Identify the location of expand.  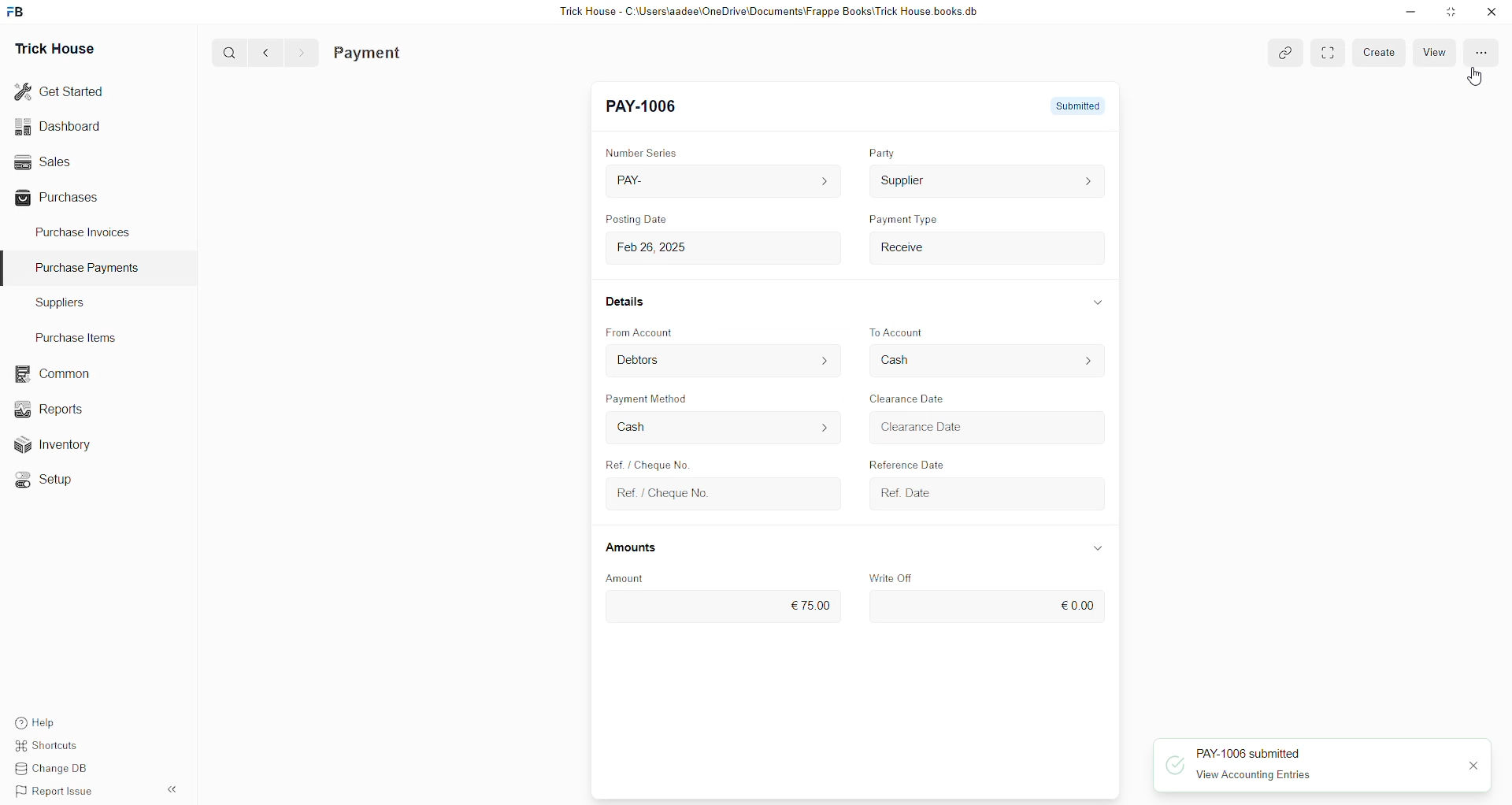
(1091, 546).